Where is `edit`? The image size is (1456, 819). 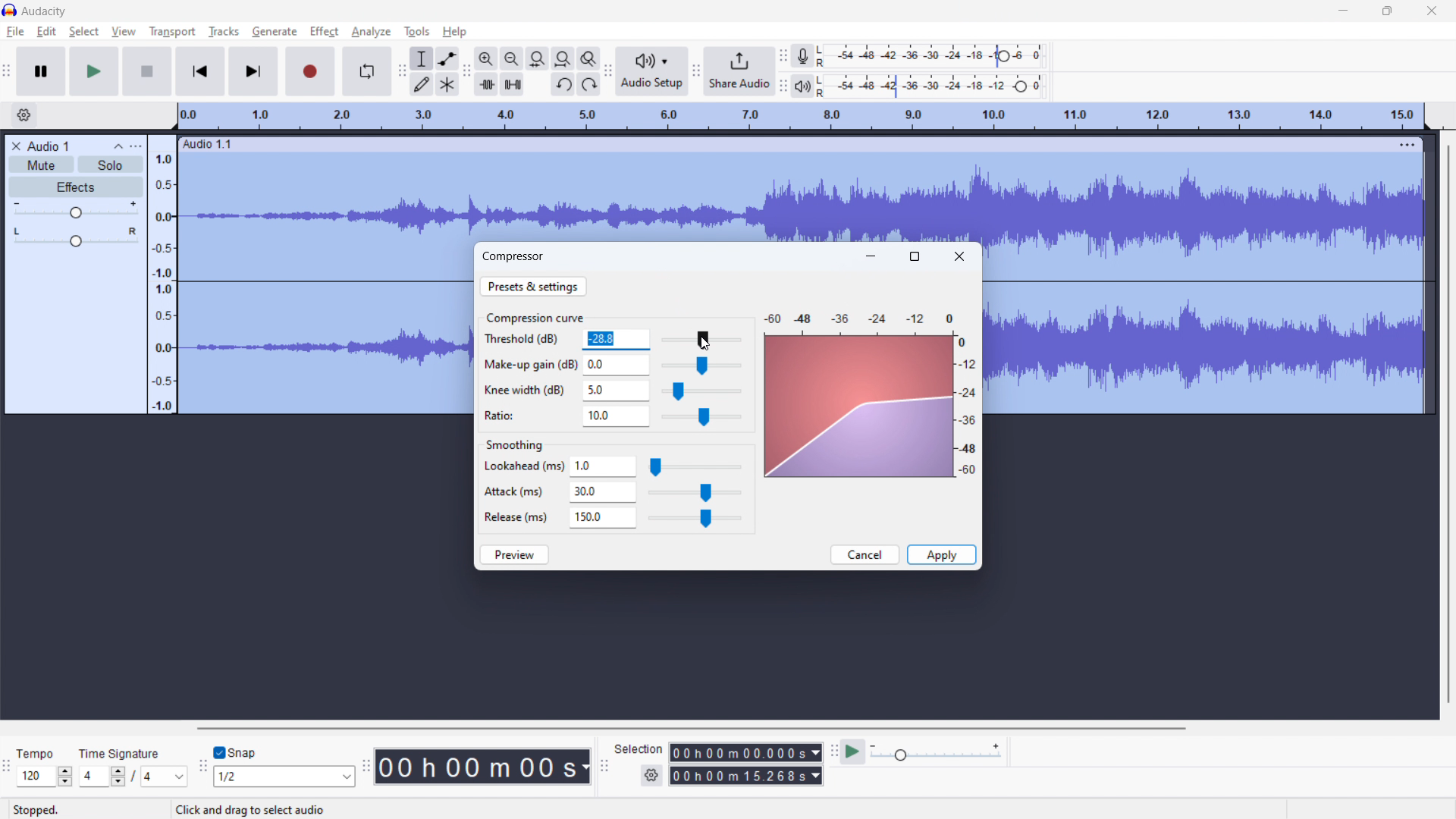 edit is located at coordinates (47, 31).